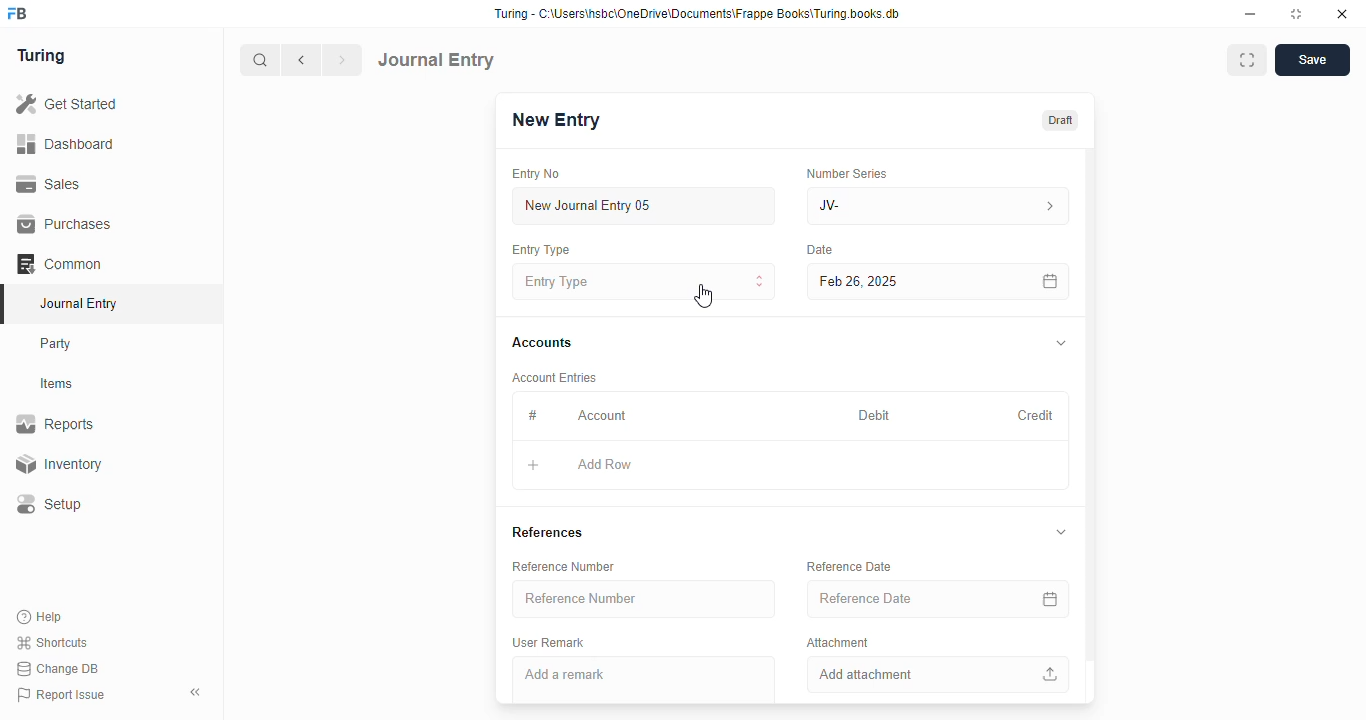 The width and height of the screenshot is (1366, 720). What do you see at coordinates (645, 207) in the screenshot?
I see `new journal entry 05` at bounding box center [645, 207].